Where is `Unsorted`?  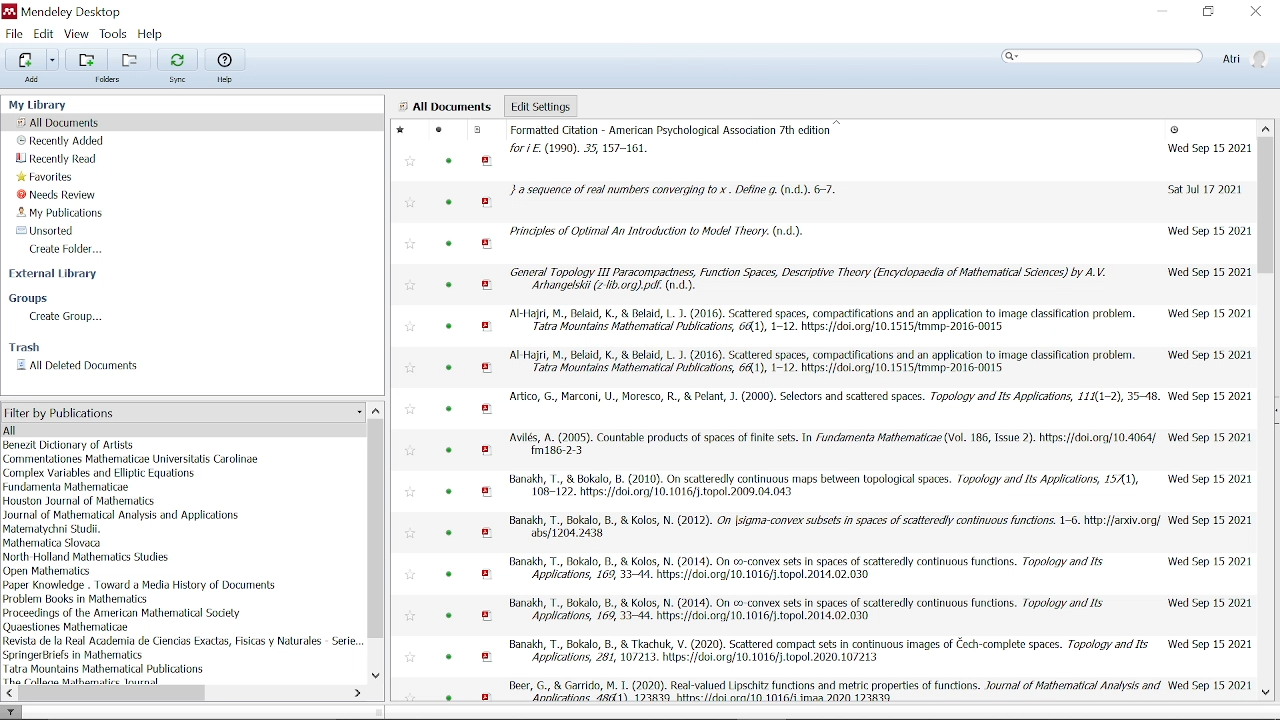
Unsorted is located at coordinates (42, 230).